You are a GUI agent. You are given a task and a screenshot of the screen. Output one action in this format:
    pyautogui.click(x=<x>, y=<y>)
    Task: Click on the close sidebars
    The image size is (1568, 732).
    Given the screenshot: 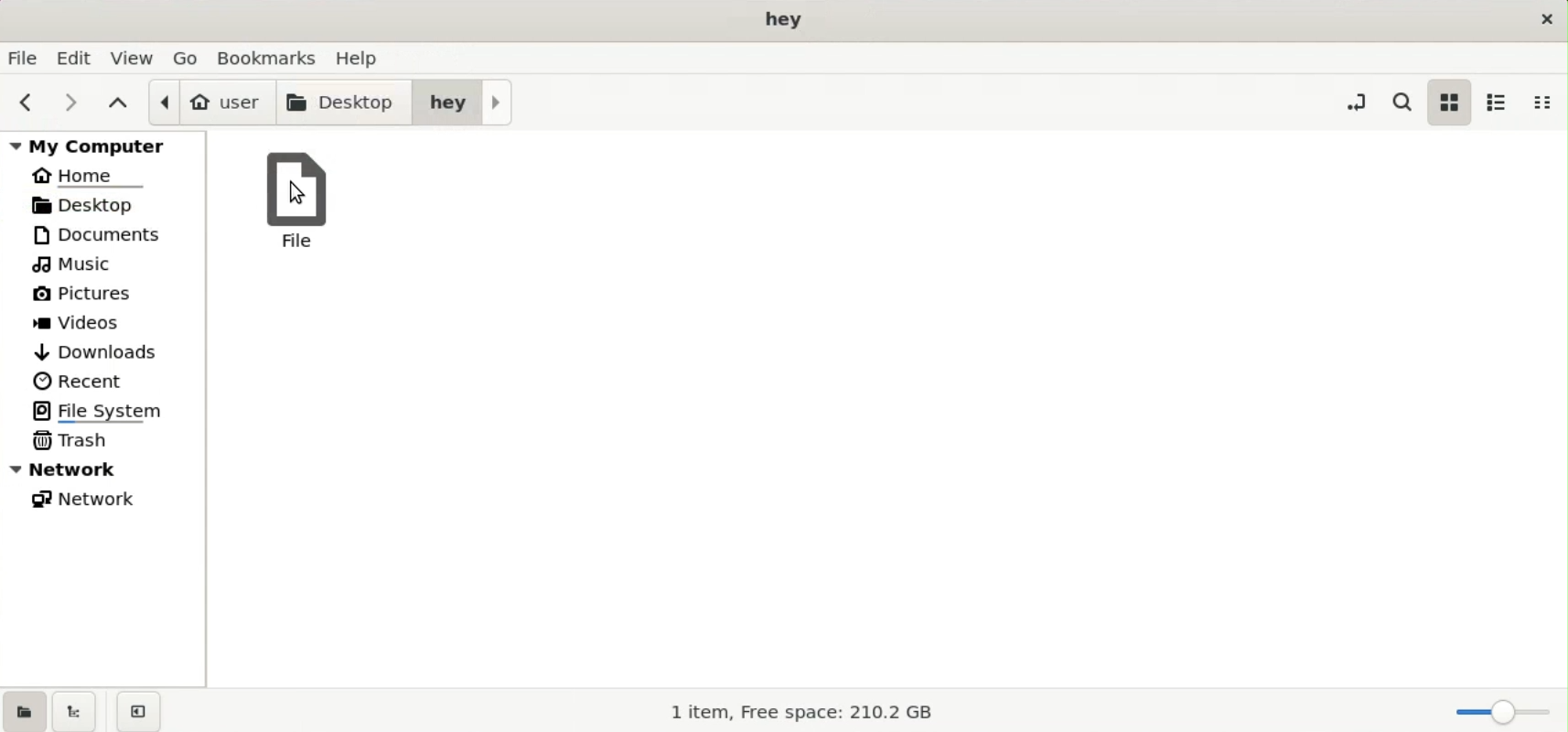 What is the action you would take?
    pyautogui.click(x=138, y=710)
    